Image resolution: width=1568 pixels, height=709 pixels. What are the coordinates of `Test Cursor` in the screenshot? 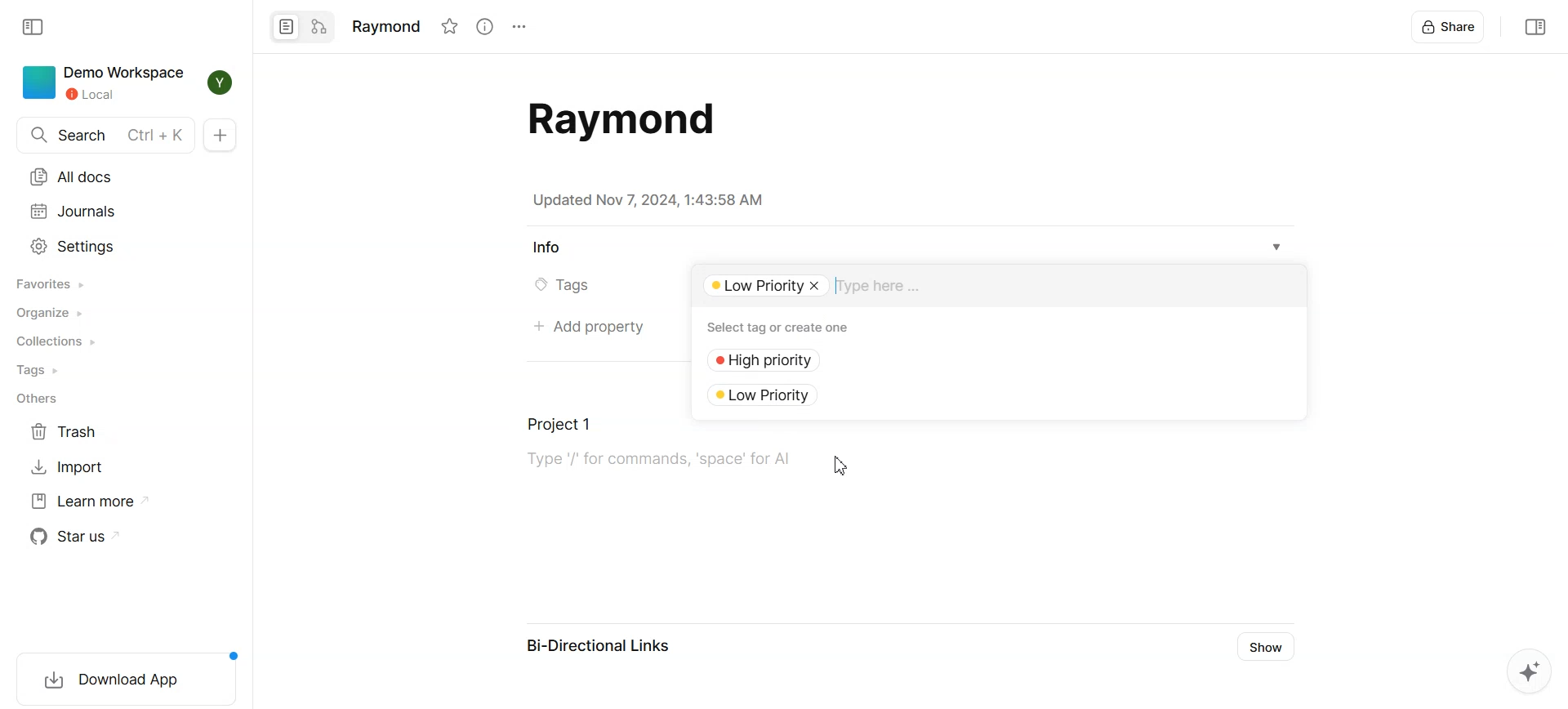 It's located at (840, 287).